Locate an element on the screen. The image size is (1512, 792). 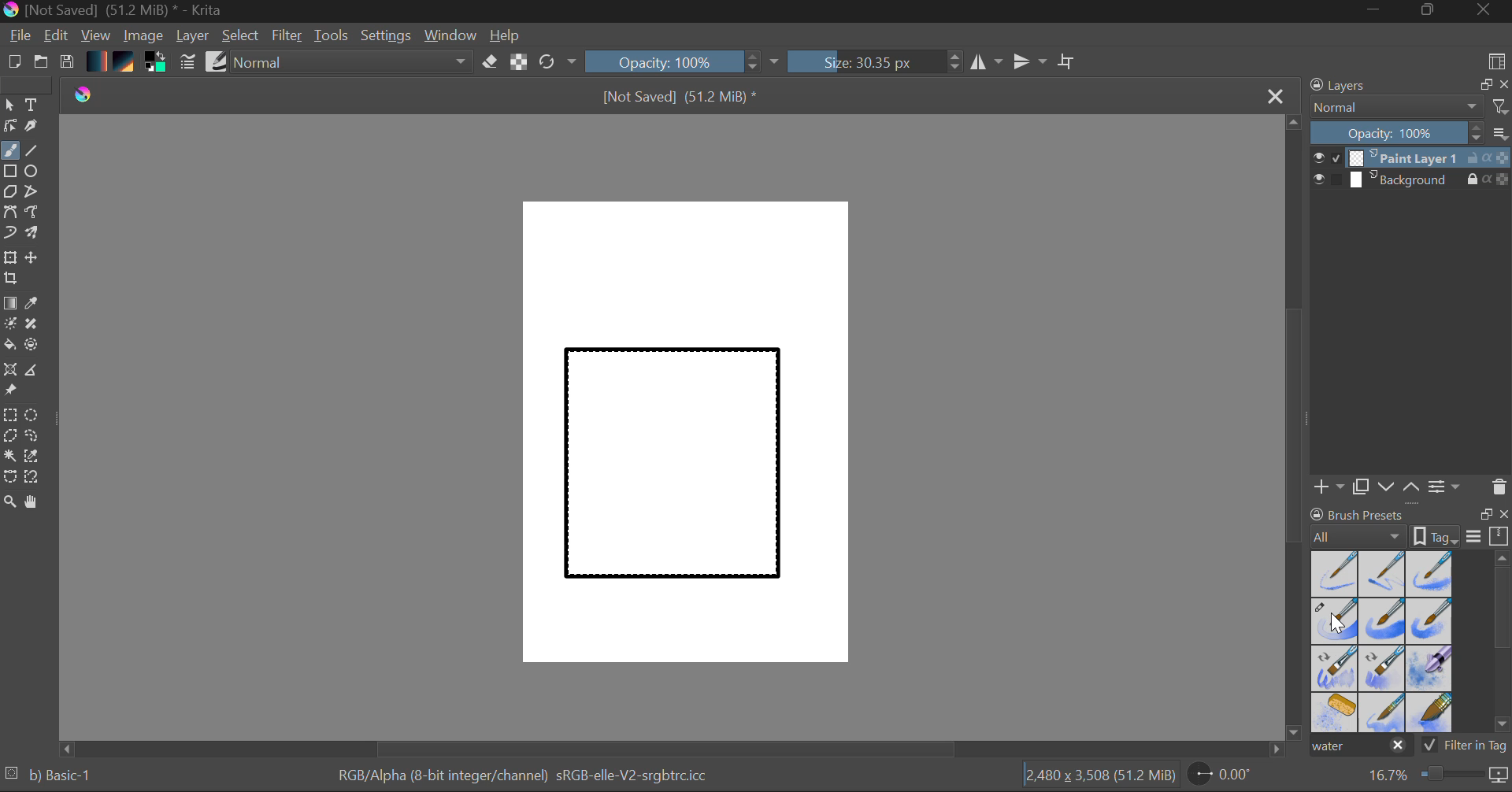
Move Layer Up is located at coordinates (1412, 486).